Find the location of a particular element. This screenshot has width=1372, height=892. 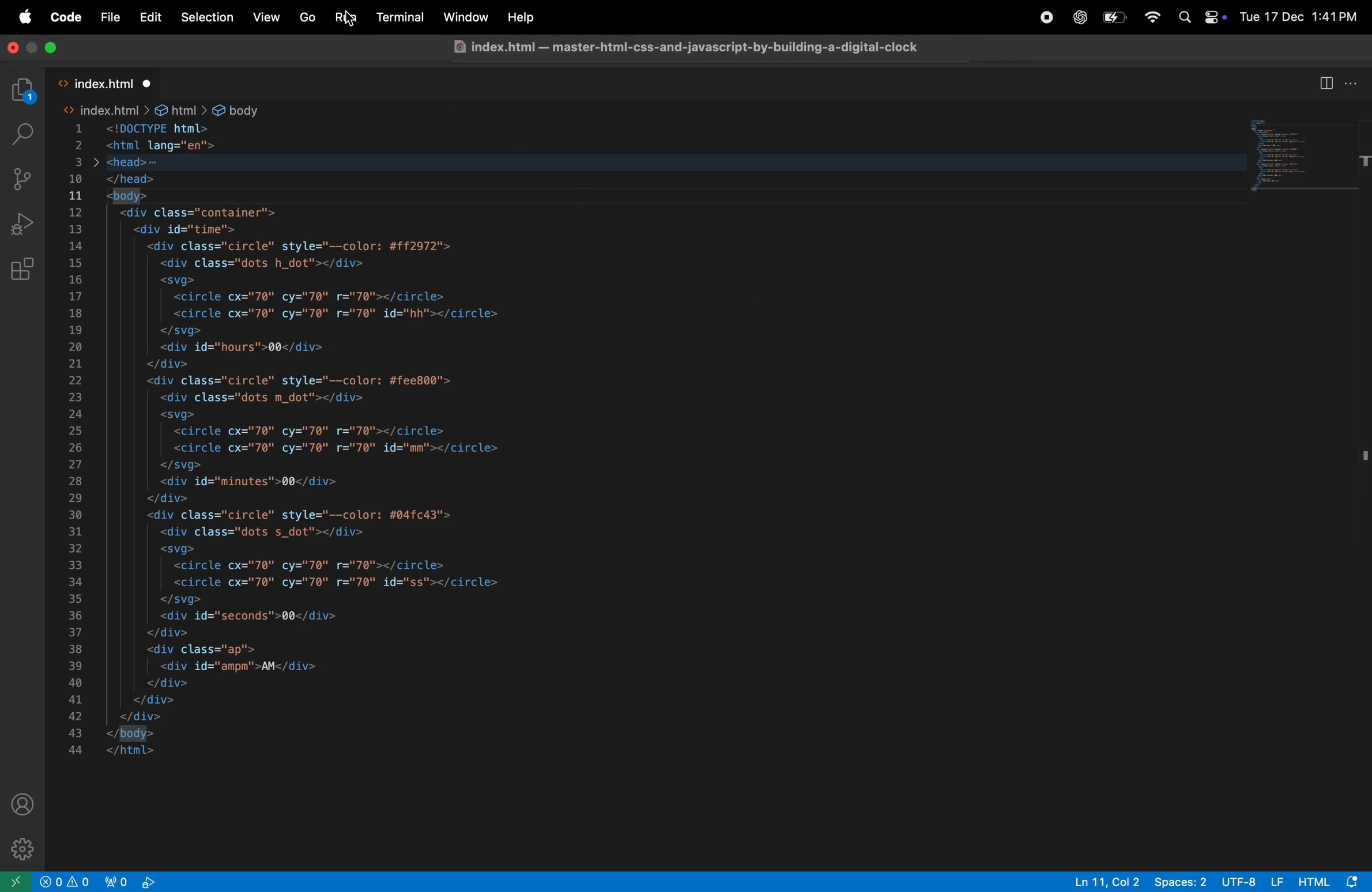

window is located at coordinates (466, 18).